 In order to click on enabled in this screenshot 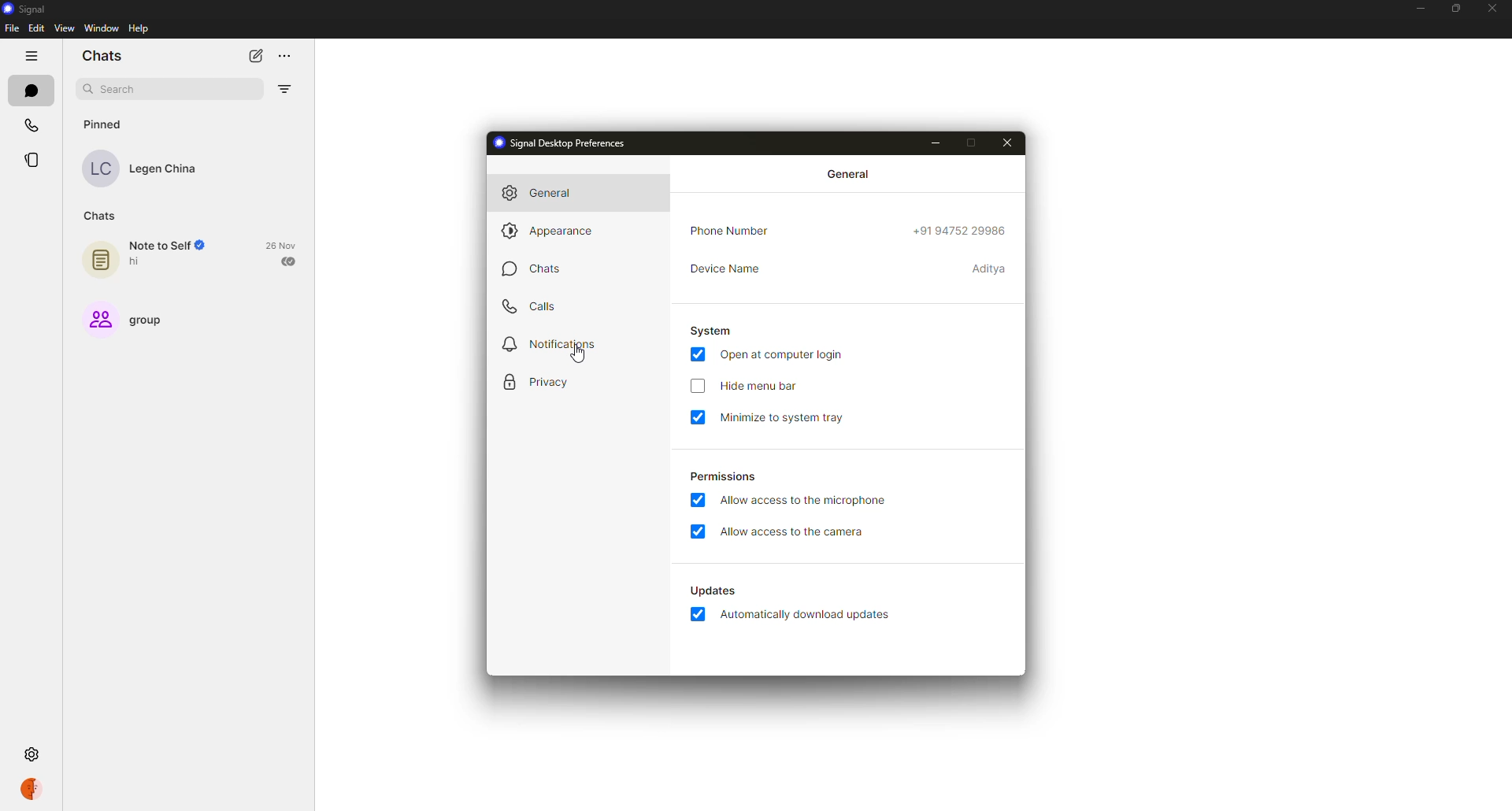, I will do `click(695, 615)`.